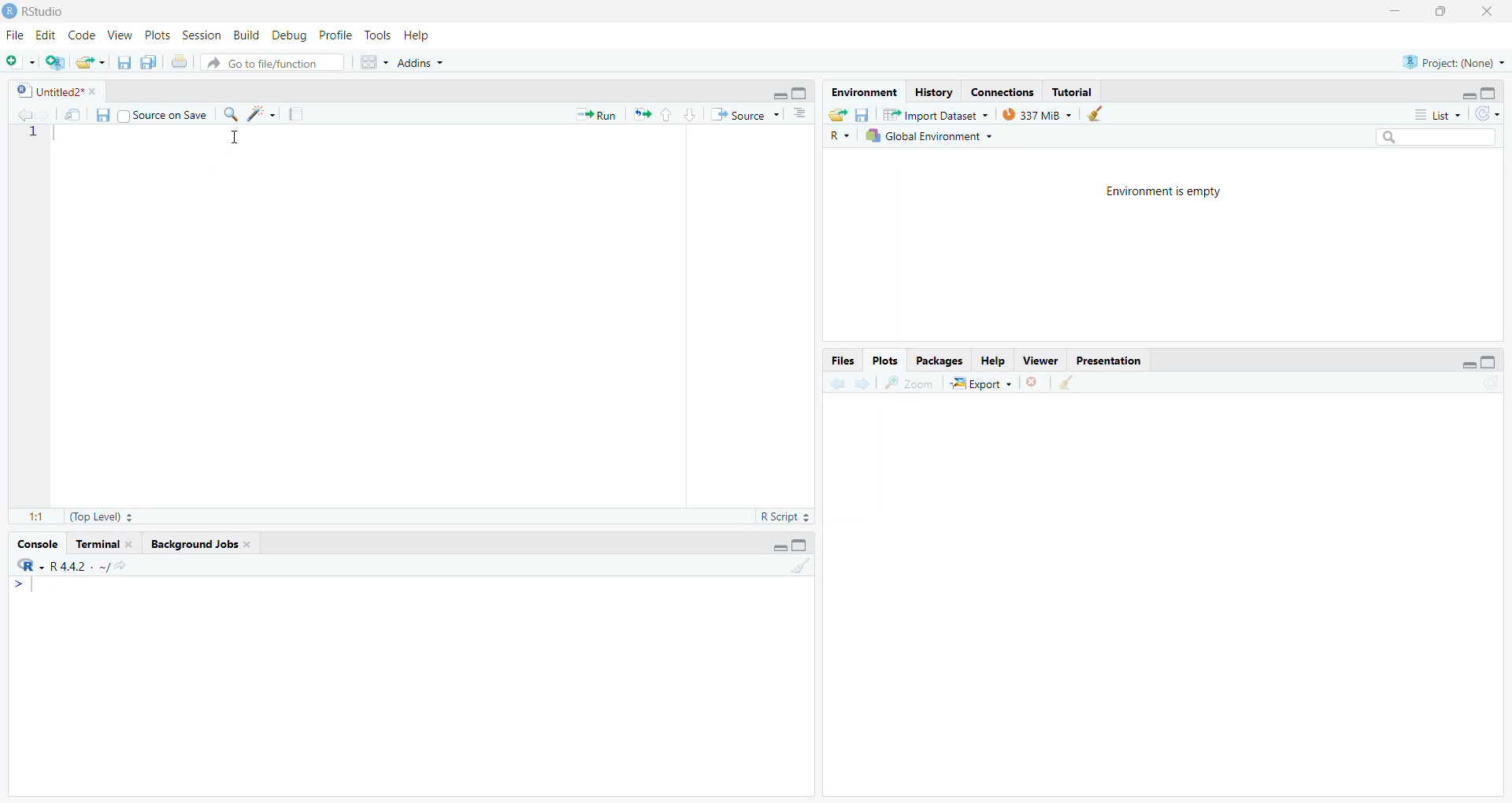 The width and height of the screenshot is (1512, 803). What do you see at coordinates (1490, 94) in the screenshot?
I see `hide console` at bounding box center [1490, 94].